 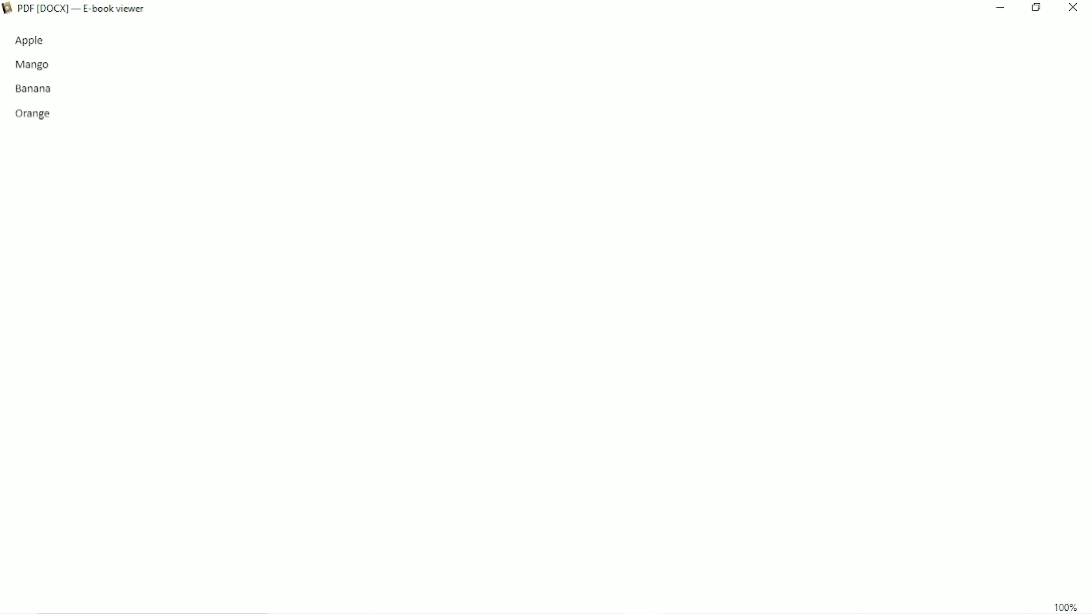 What do you see at coordinates (1074, 8) in the screenshot?
I see `Close` at bounding box center [1074, 8].